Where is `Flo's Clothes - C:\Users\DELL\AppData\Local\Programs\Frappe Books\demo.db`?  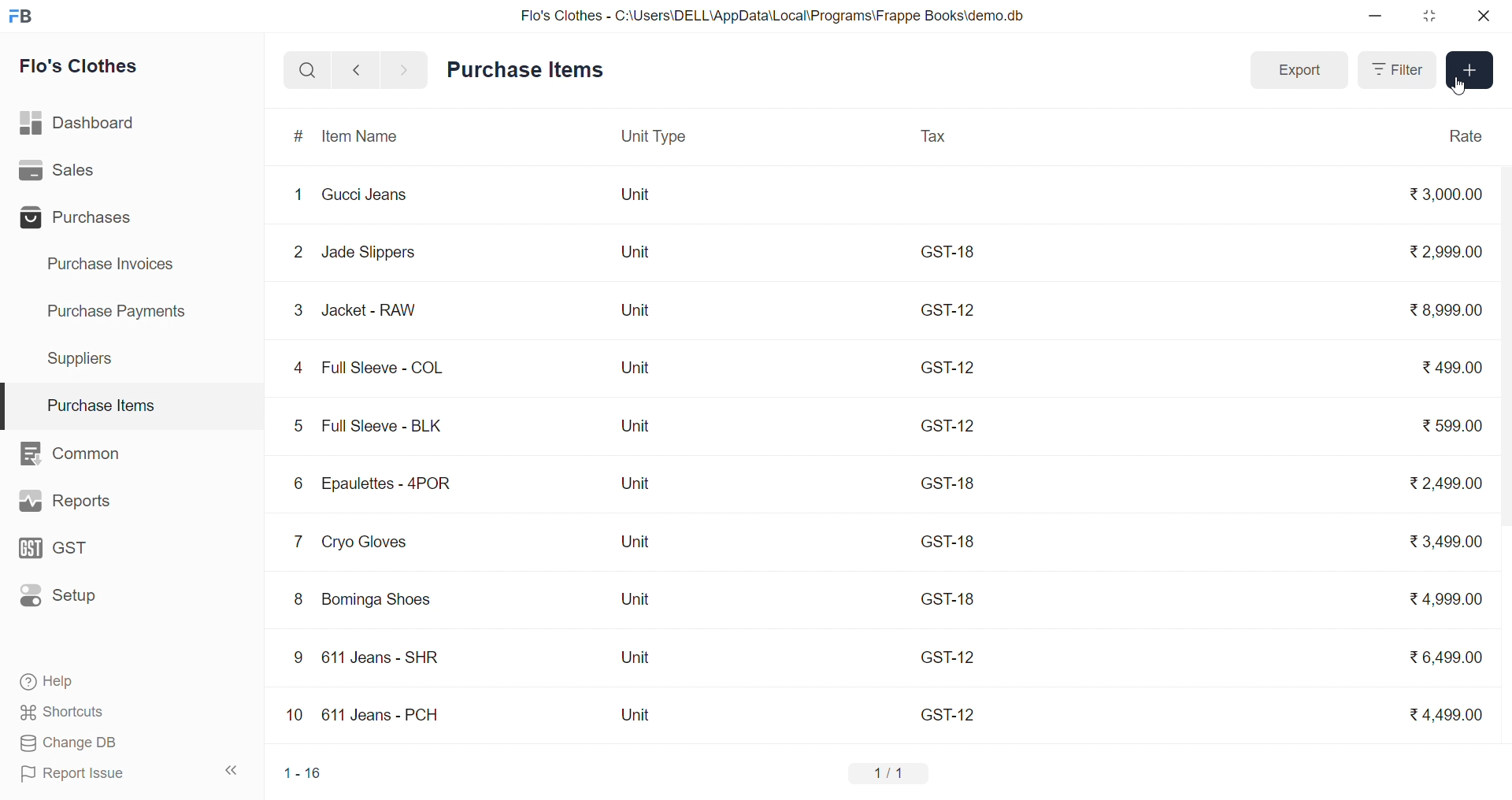 Flo's Clothes - C:\Users\DELL\AppData\Local\Programs\Frappe Books\demo.db is located at coordinates (773, 14).